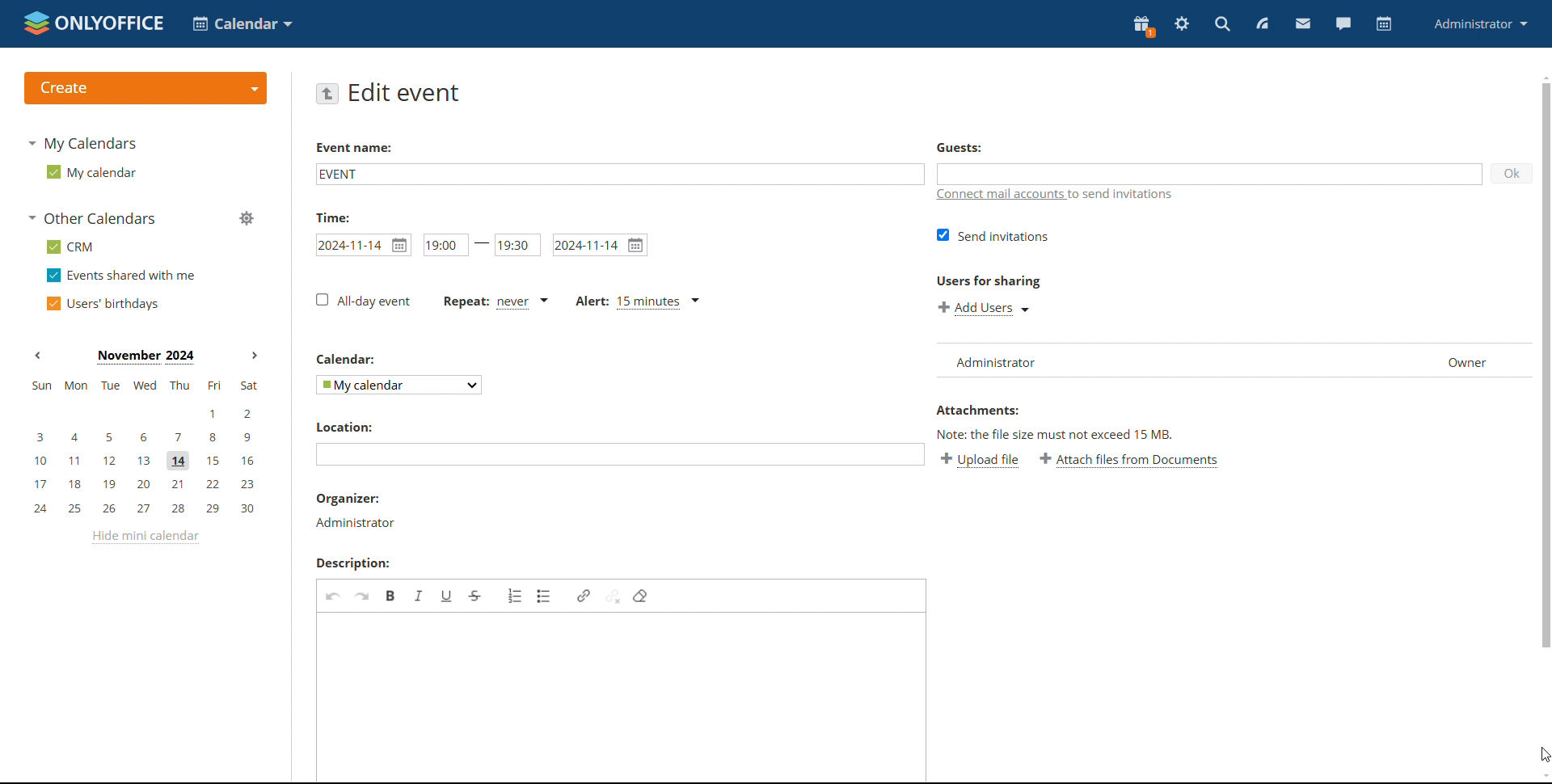 The image size is (1552, 784). What do you see at coordinates (444, 245) in the screenshot?
I see `start time` at bounding box center [444, 245].